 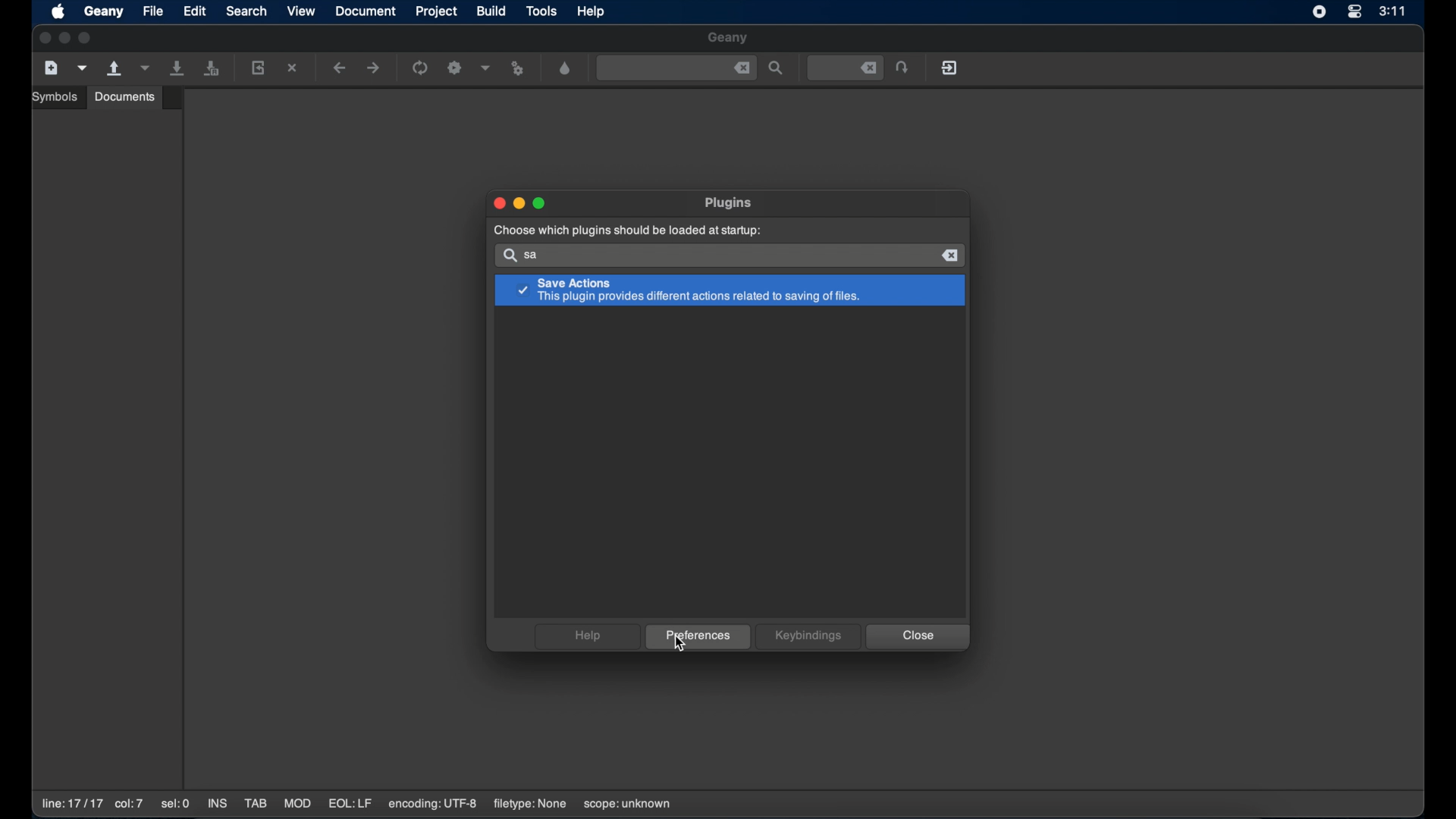 I want to click on build the current file, so click(x=457, y=69).